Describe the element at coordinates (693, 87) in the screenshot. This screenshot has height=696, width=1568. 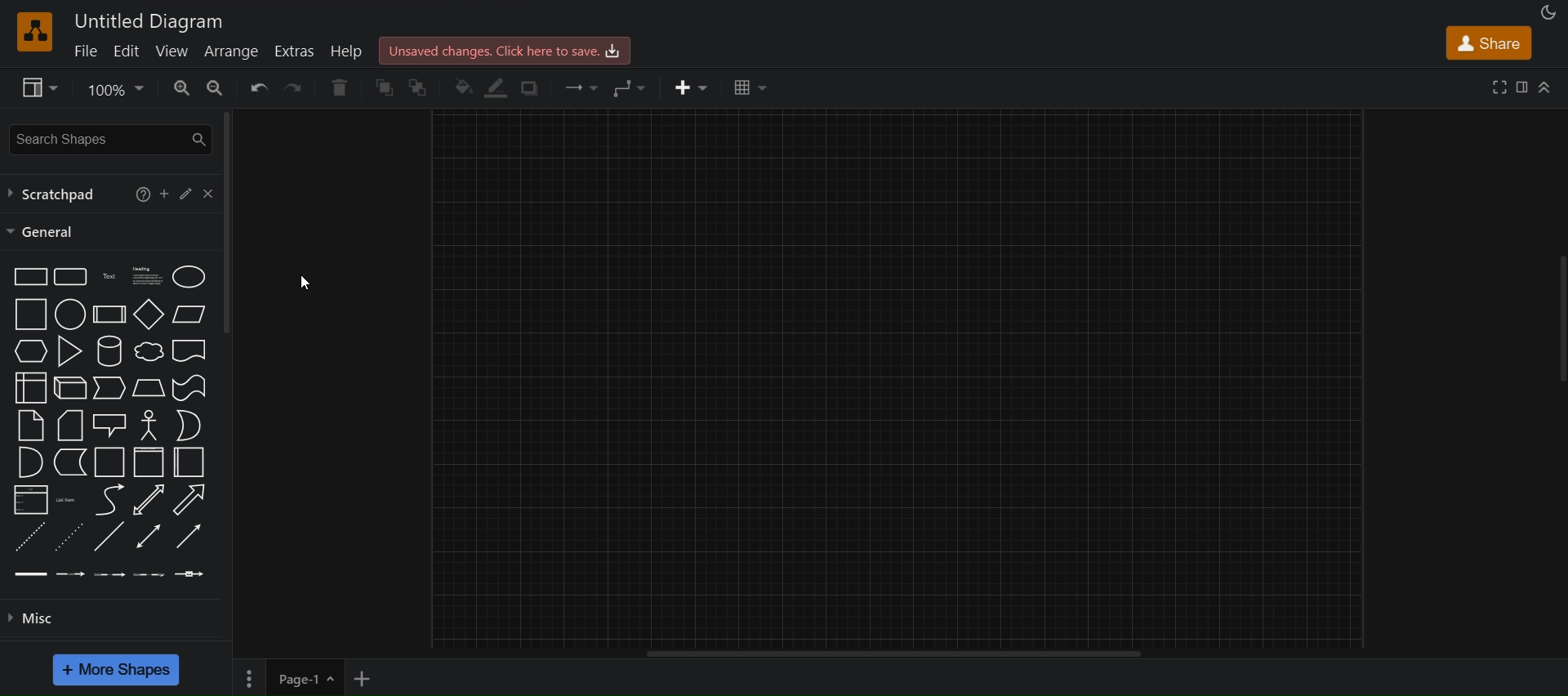
I see `insert` at that location.